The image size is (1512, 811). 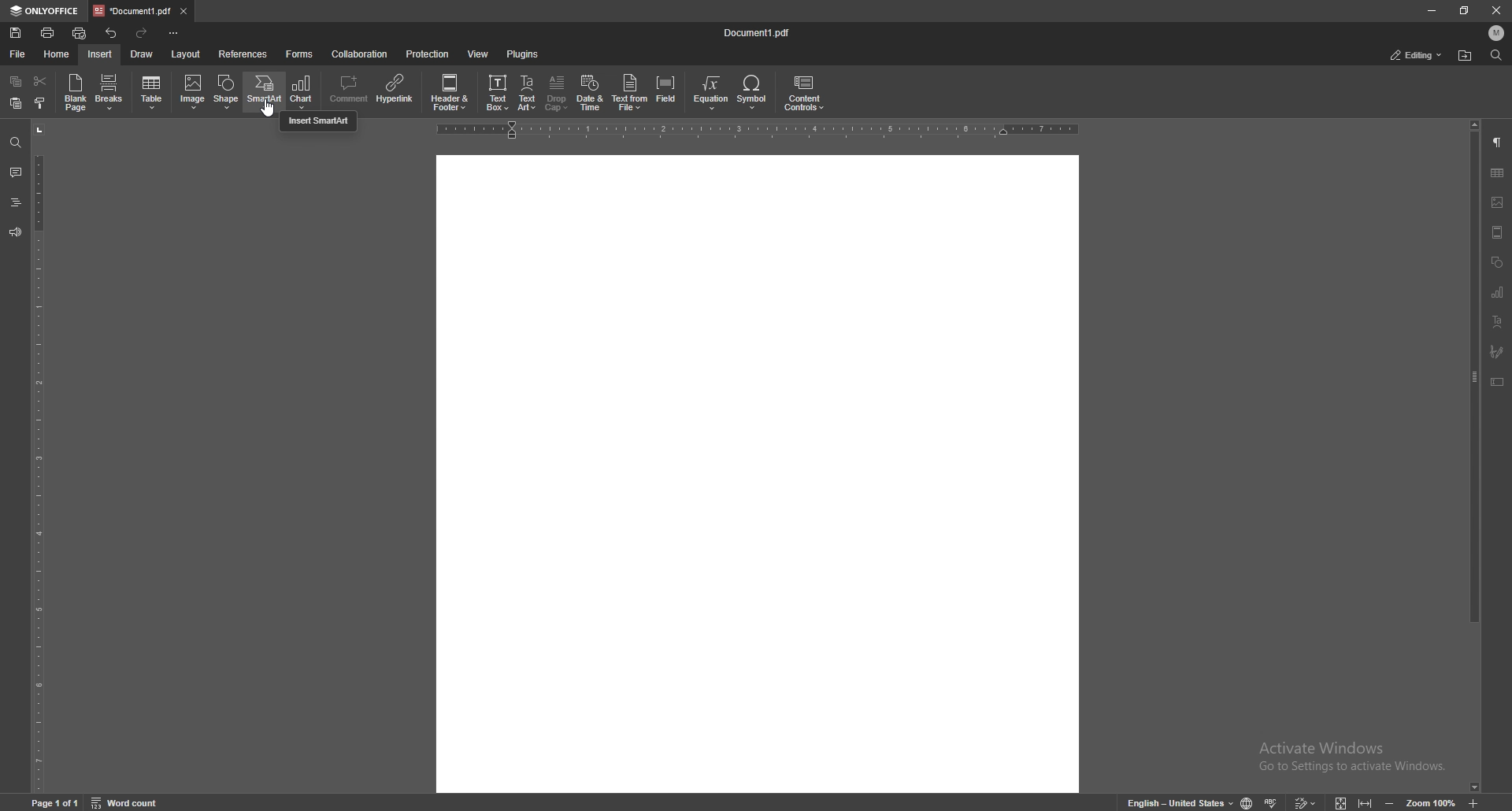 I want to click on smart art, so click(x=264, y=91).